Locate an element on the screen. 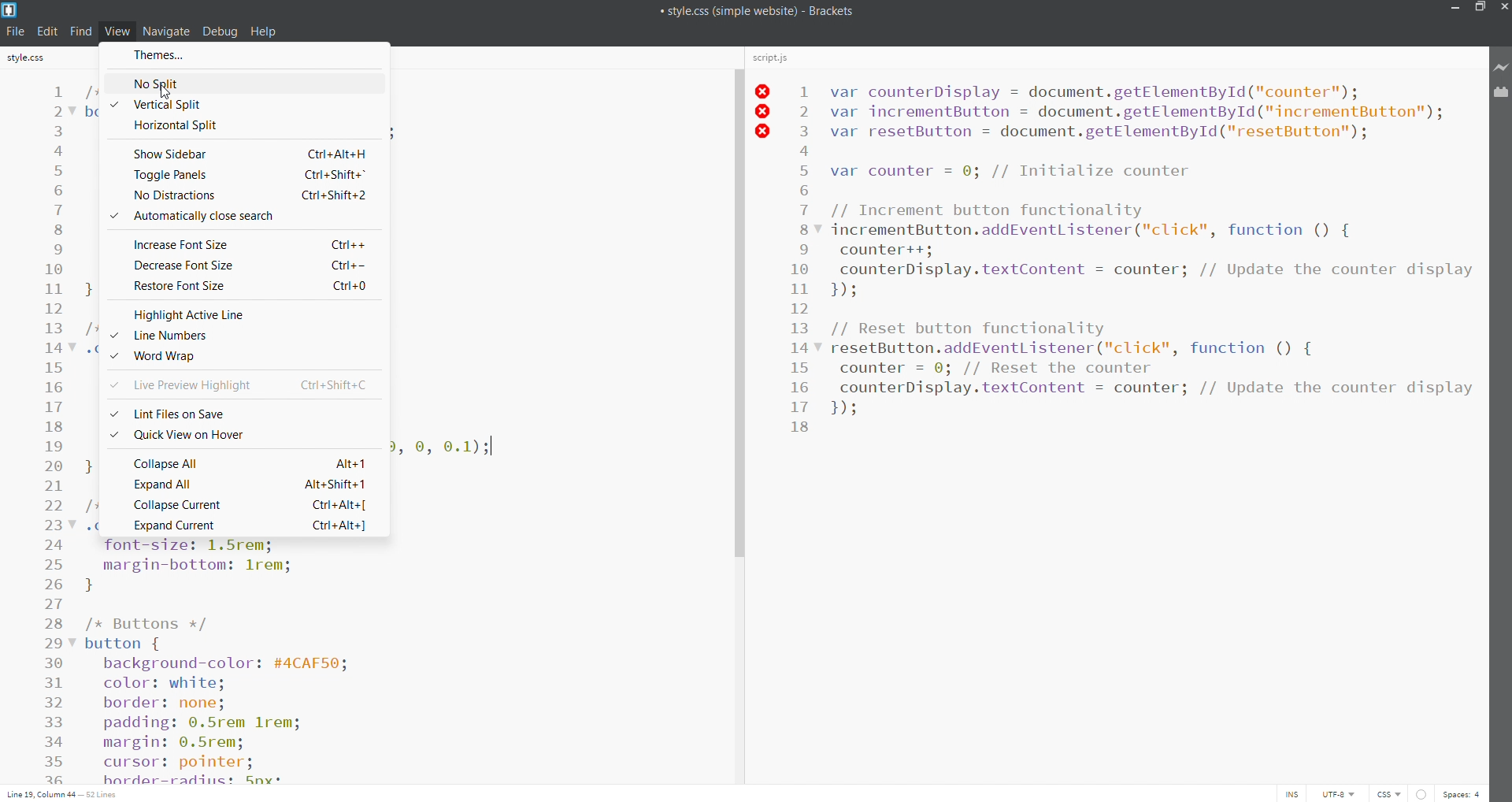 The image size is (1512, 802). space count is located at coordinates (1462, 793).